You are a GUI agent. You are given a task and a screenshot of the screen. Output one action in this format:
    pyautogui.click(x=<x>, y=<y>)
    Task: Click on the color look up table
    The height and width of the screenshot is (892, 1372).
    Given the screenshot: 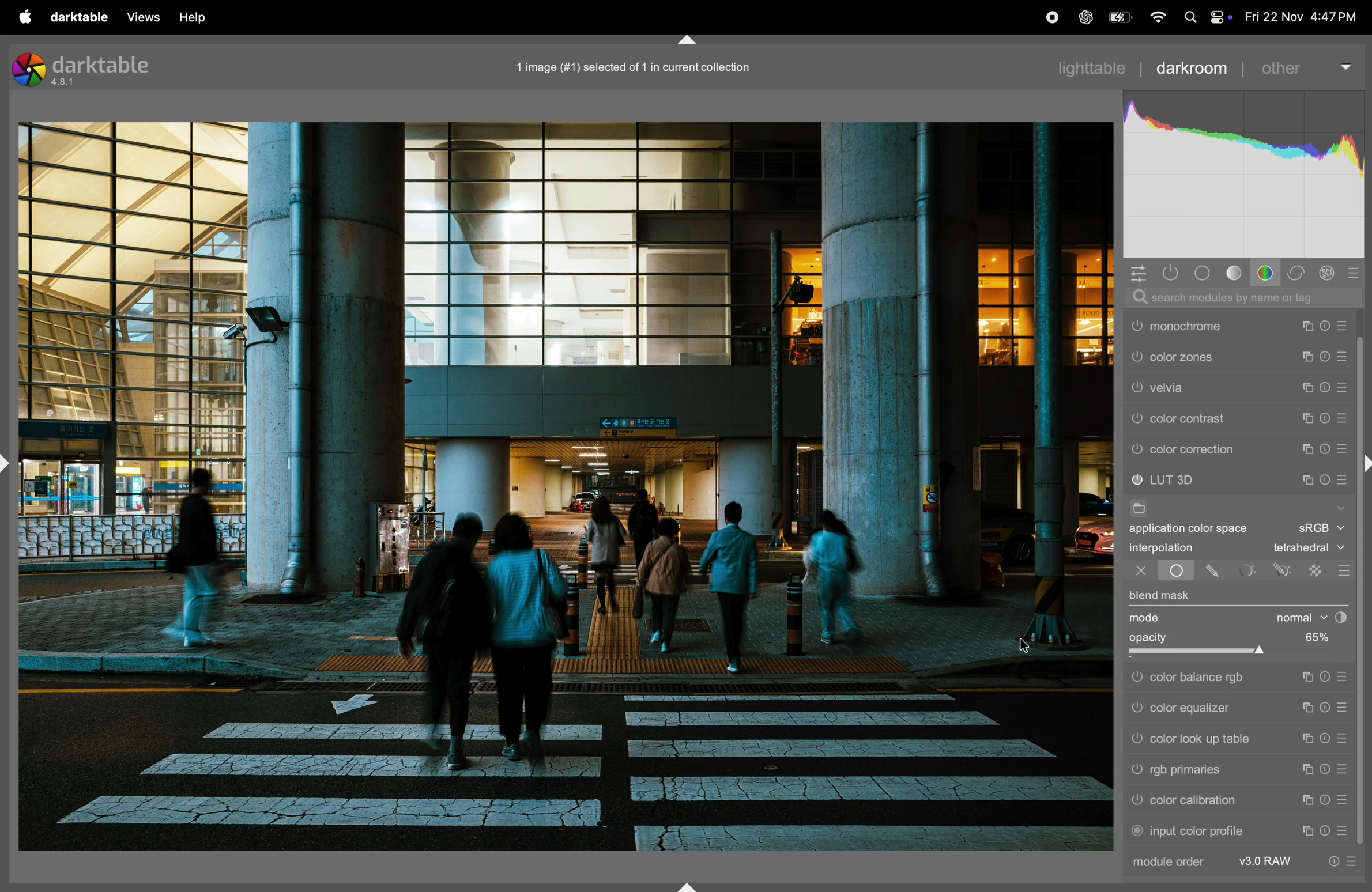 What is the action you would take?
    pyautogui.click(x=1208, y=739)
    